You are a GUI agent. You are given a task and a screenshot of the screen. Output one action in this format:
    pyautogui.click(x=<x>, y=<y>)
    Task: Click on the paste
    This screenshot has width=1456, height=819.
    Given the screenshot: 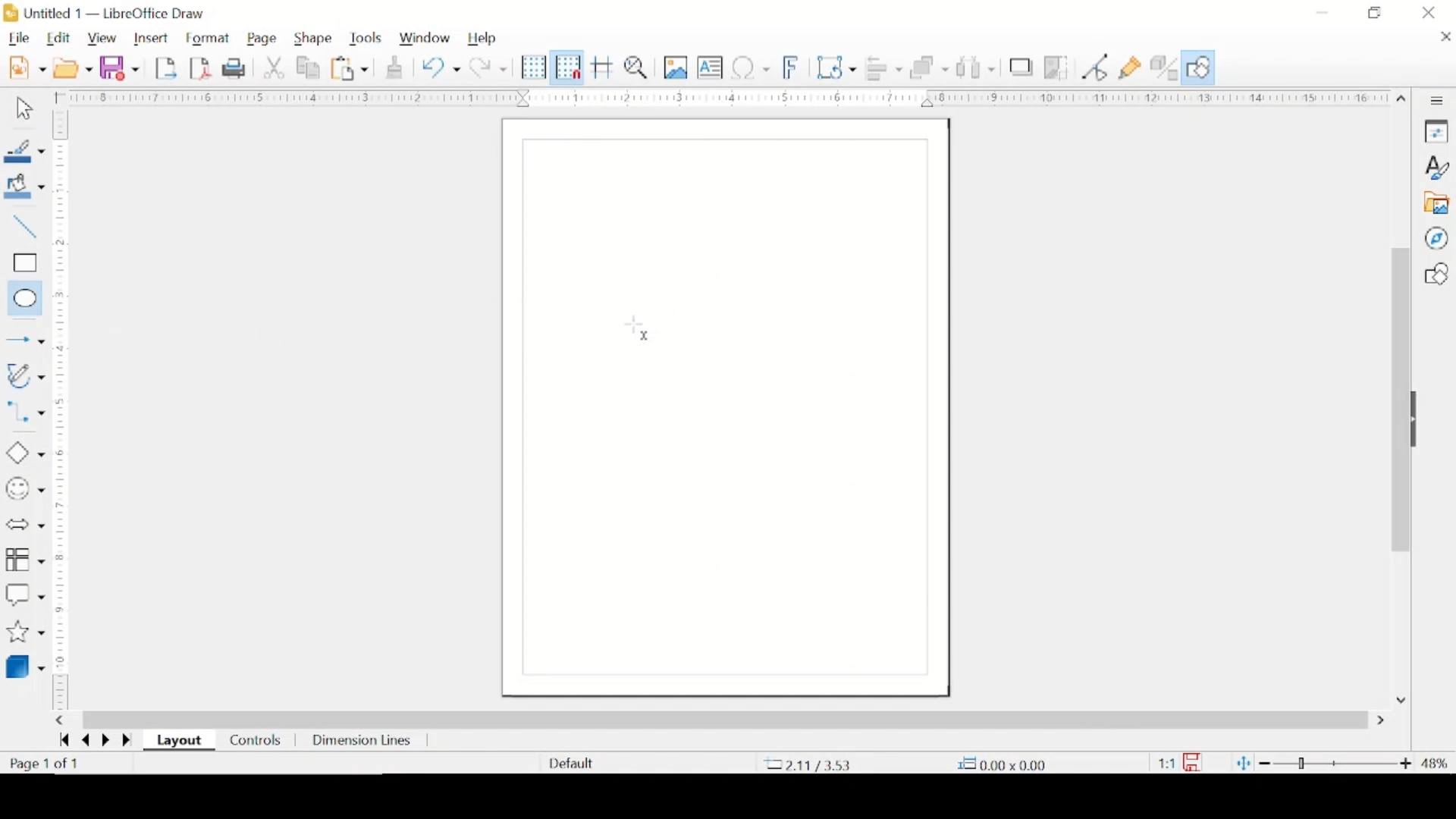 What is the action you would take?
    pyautogui.click(x=351, y=69)
    